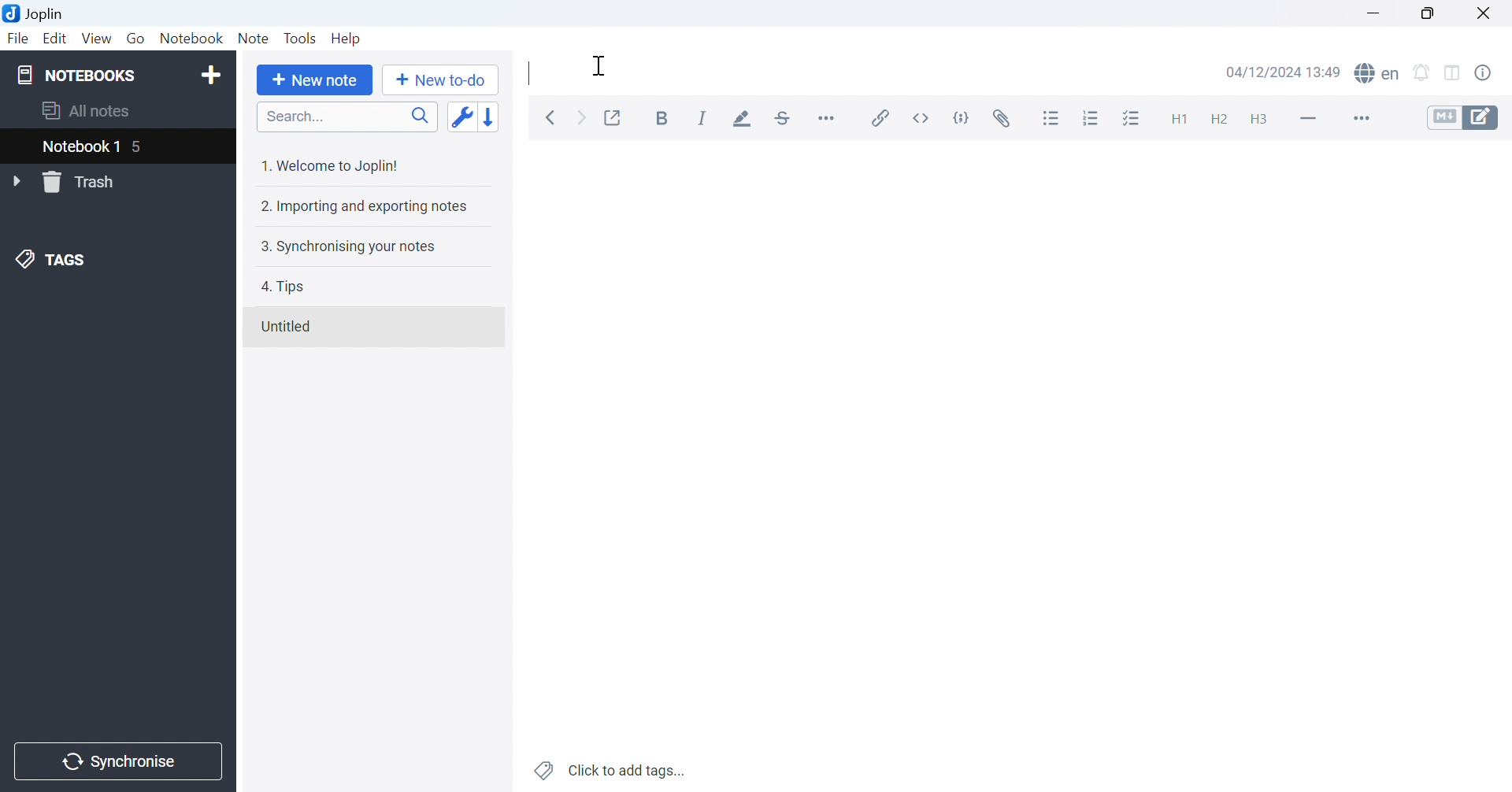  Describe the element at coordinates (1469, 117) in the screenshot. I see `Toggle editors` at that location.